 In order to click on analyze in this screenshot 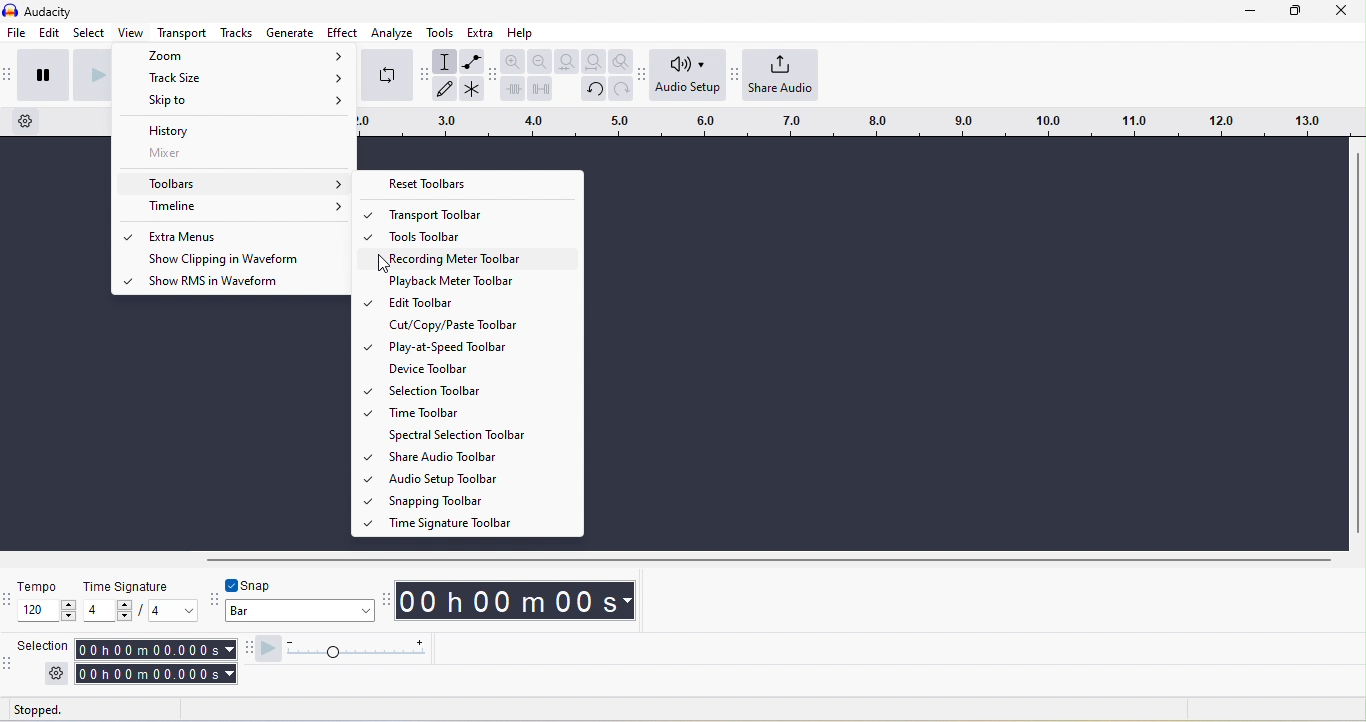, I will do `click(392, 33)`.